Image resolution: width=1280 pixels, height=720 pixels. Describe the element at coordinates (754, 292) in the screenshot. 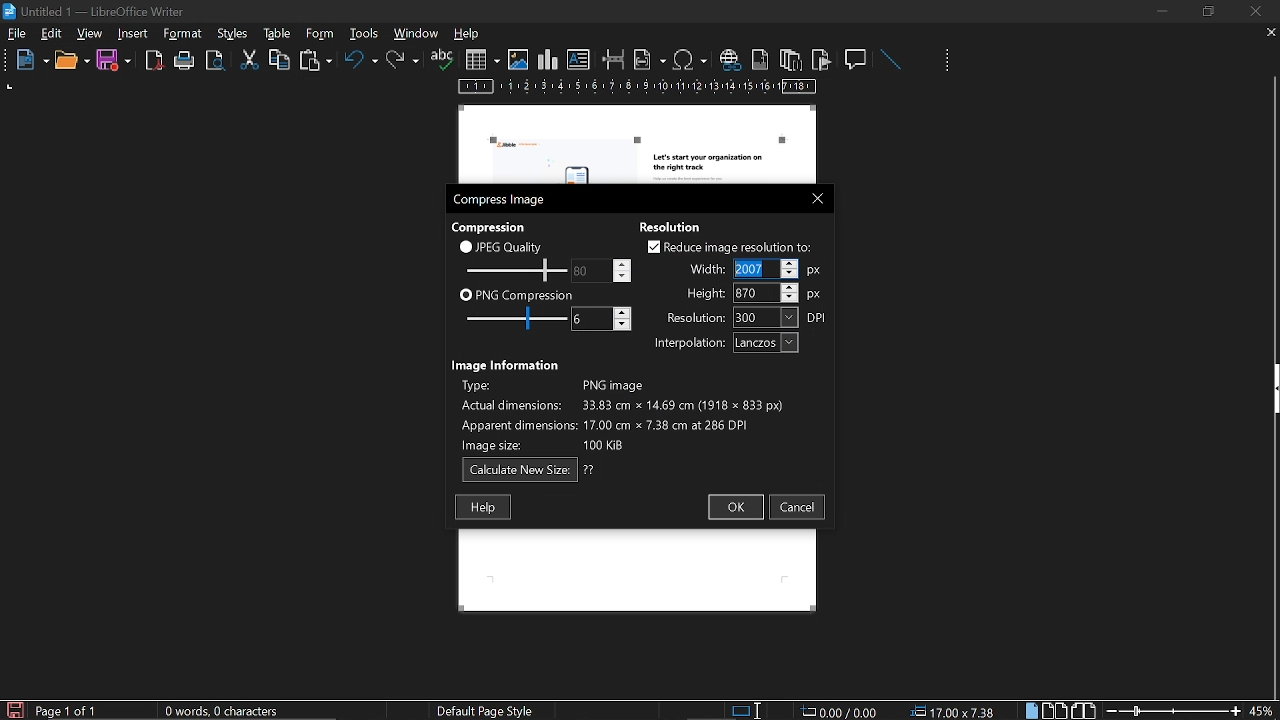

I see `height` at that location.